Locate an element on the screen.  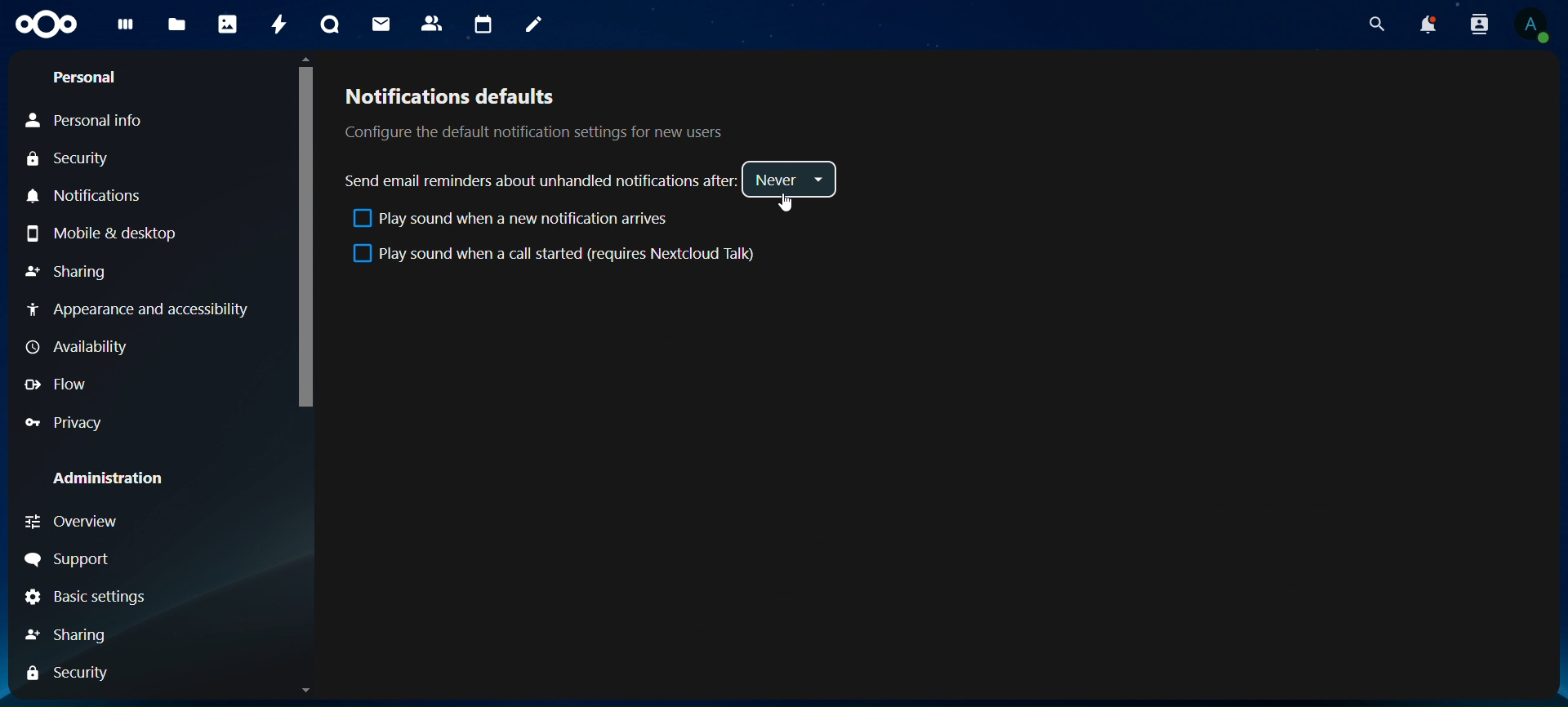
play sound when a call started  is located at coordinates (558, 255).